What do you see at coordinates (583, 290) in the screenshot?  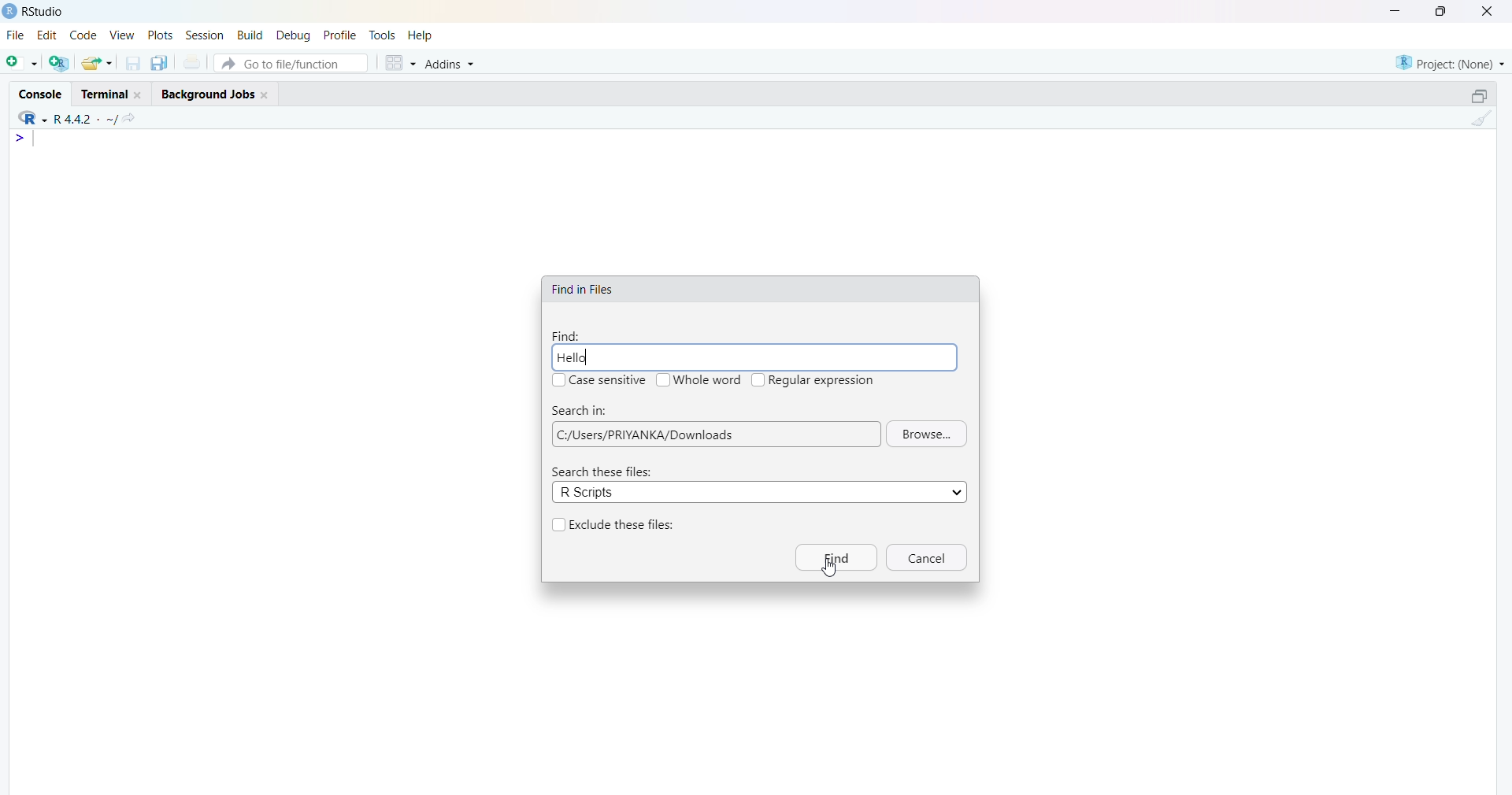 I see `Find in Files` at bounding box center [583, 290].